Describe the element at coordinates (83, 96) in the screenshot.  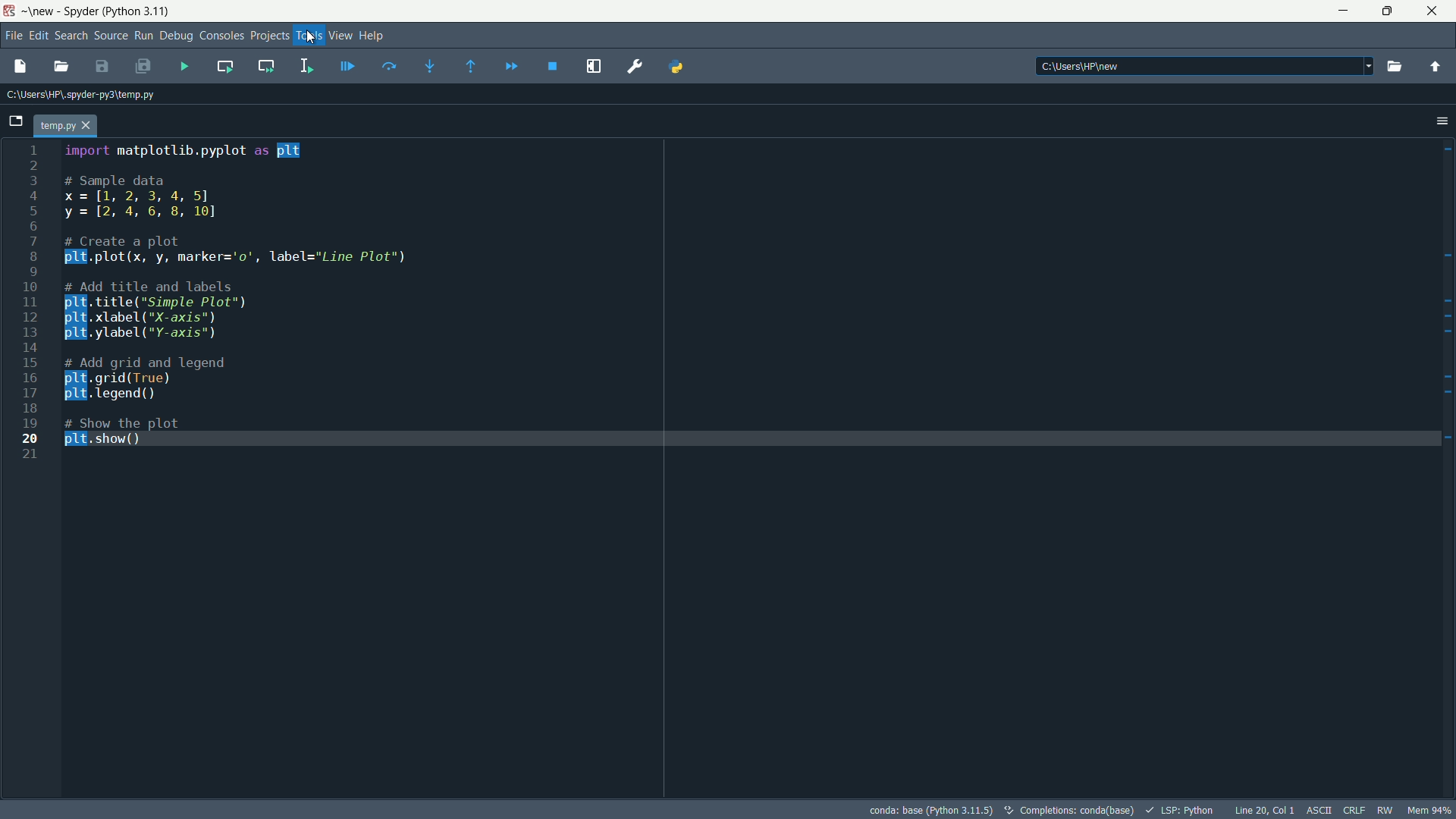
I see `C:\Users\HP\.spyder-py3\temp.py` at that location.